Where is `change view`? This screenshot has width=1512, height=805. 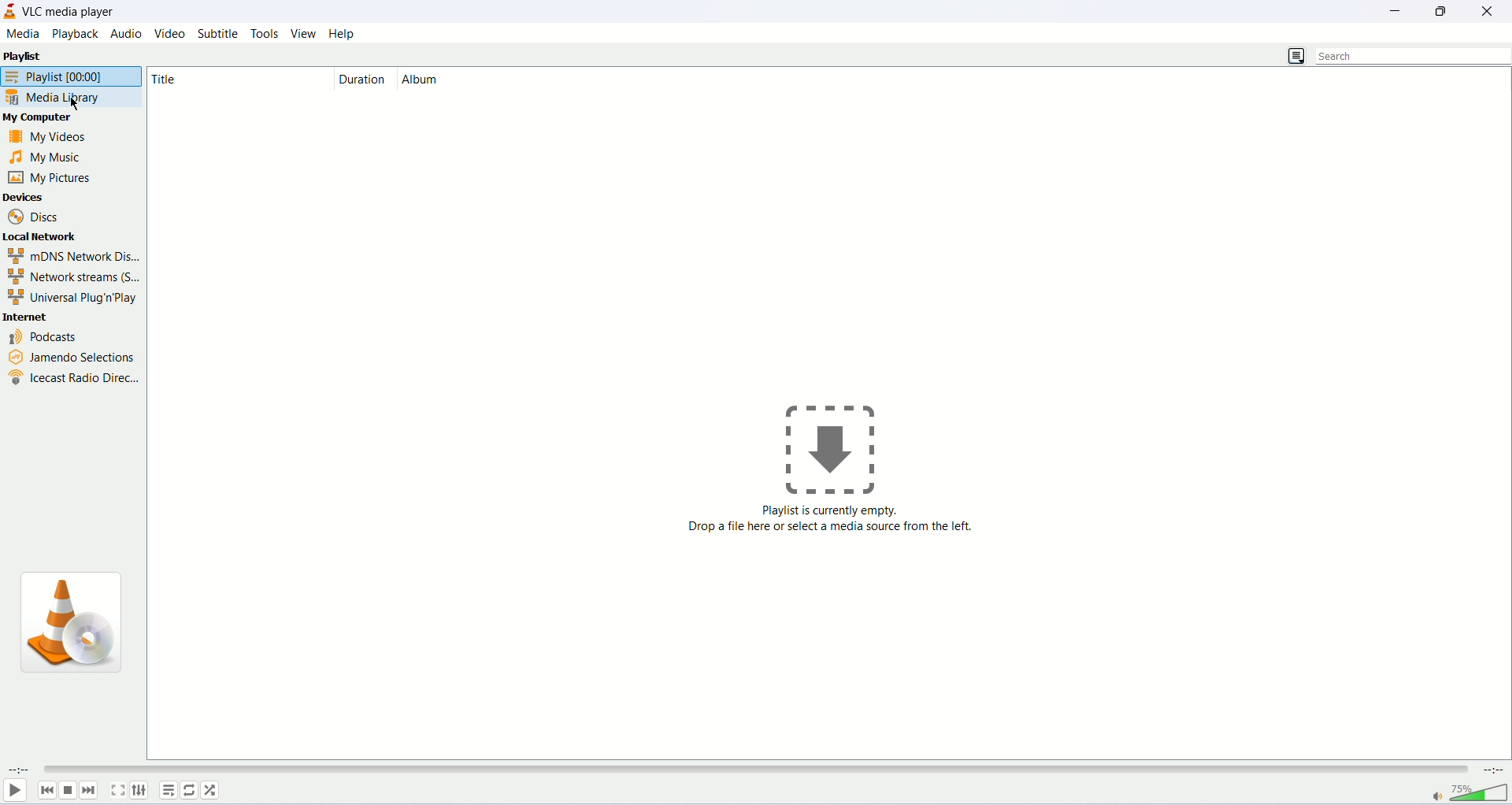 change view is located at coordinates (1295, 57).